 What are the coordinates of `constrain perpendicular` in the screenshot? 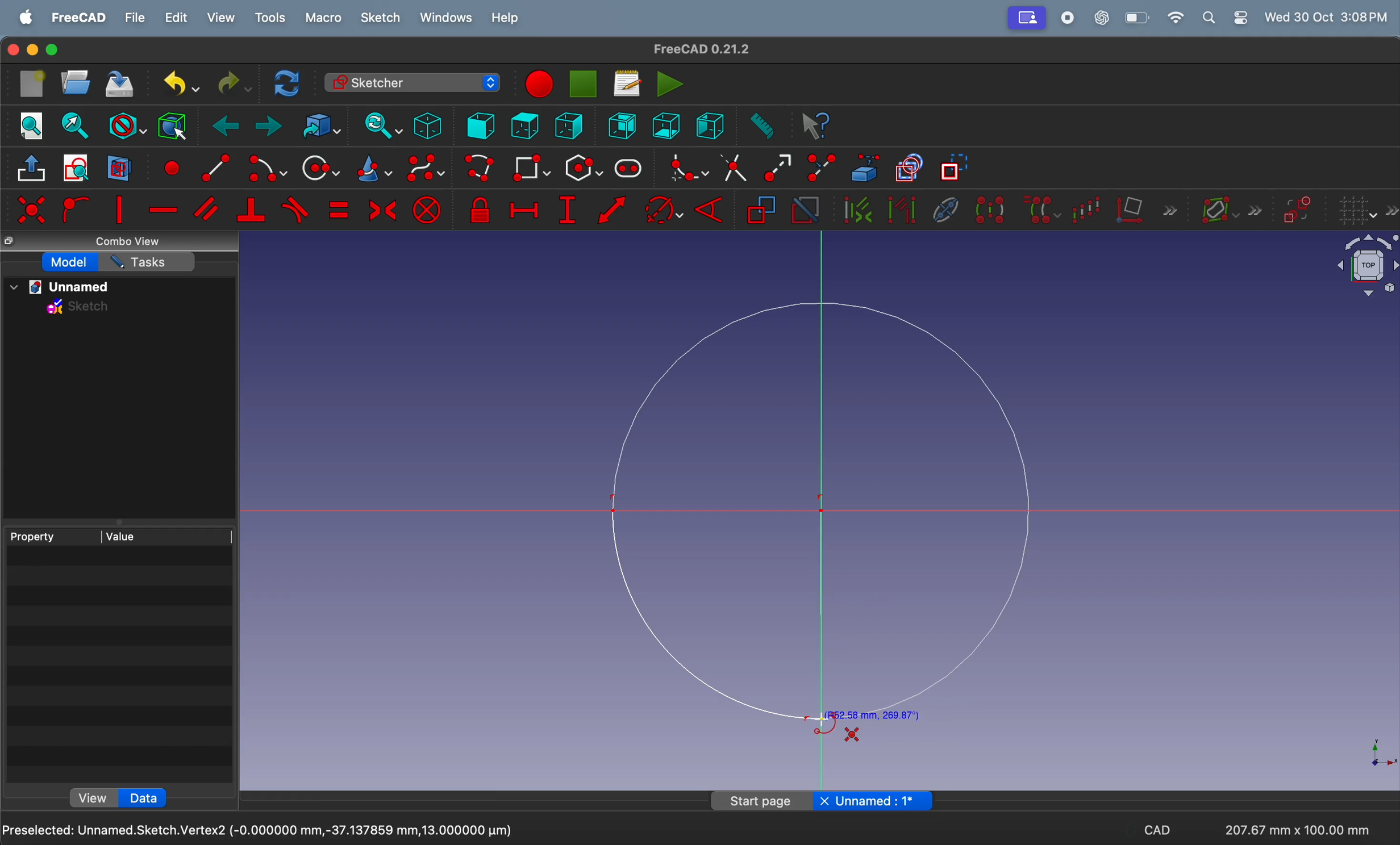 It's located at (251, 211).